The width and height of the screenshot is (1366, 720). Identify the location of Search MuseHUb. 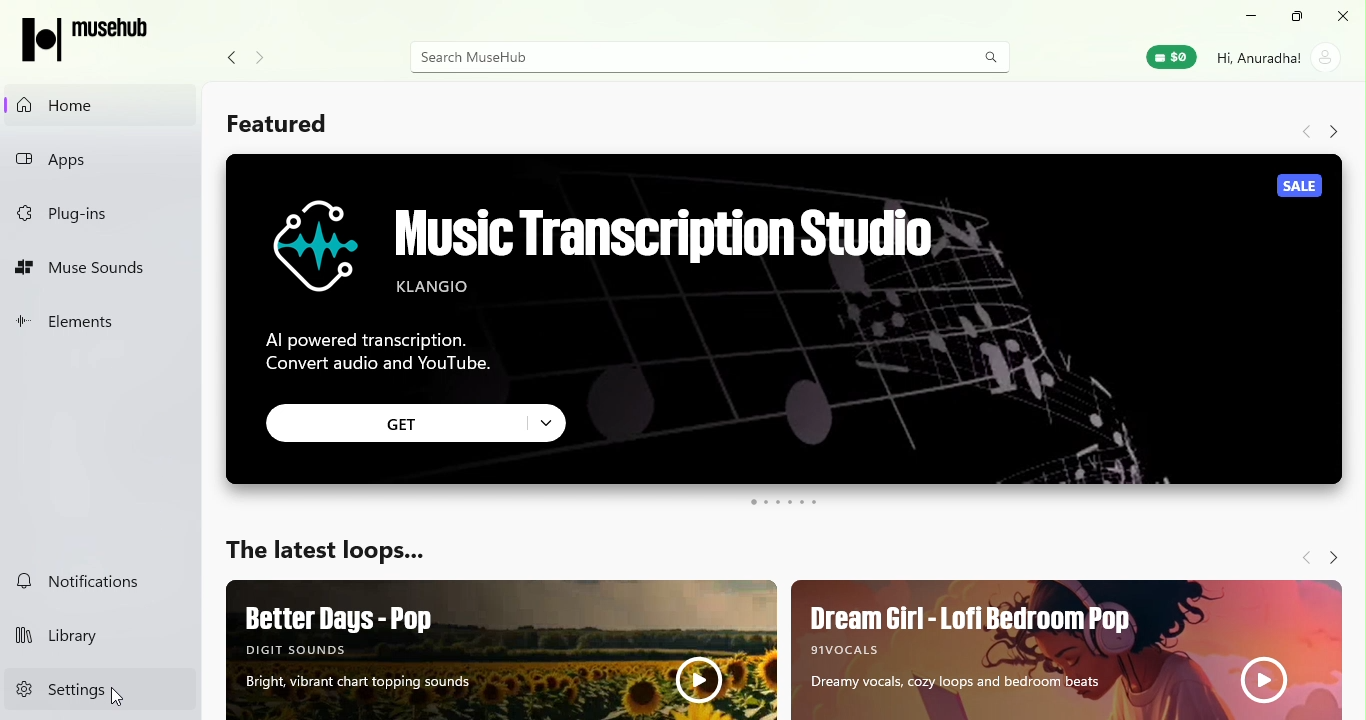
(708, 58).